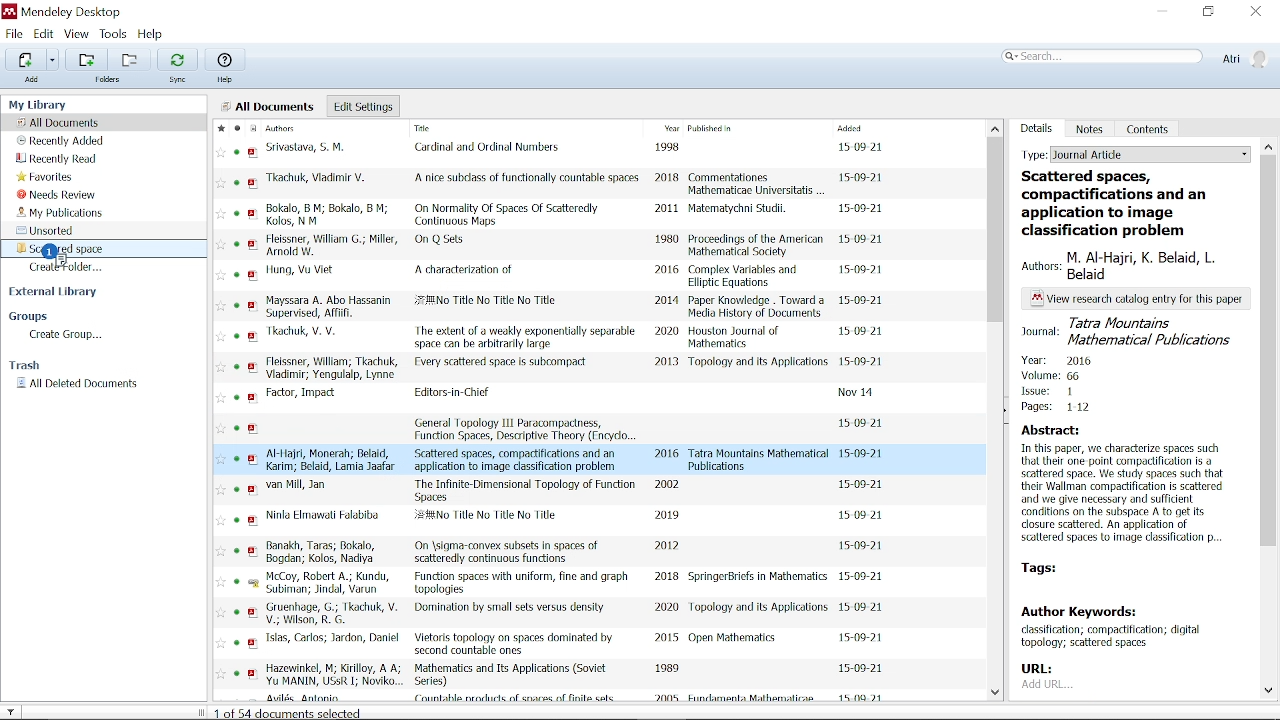 This screenshot has height=720, width=1280. I want to click on Edit settings, so click(363, 106).